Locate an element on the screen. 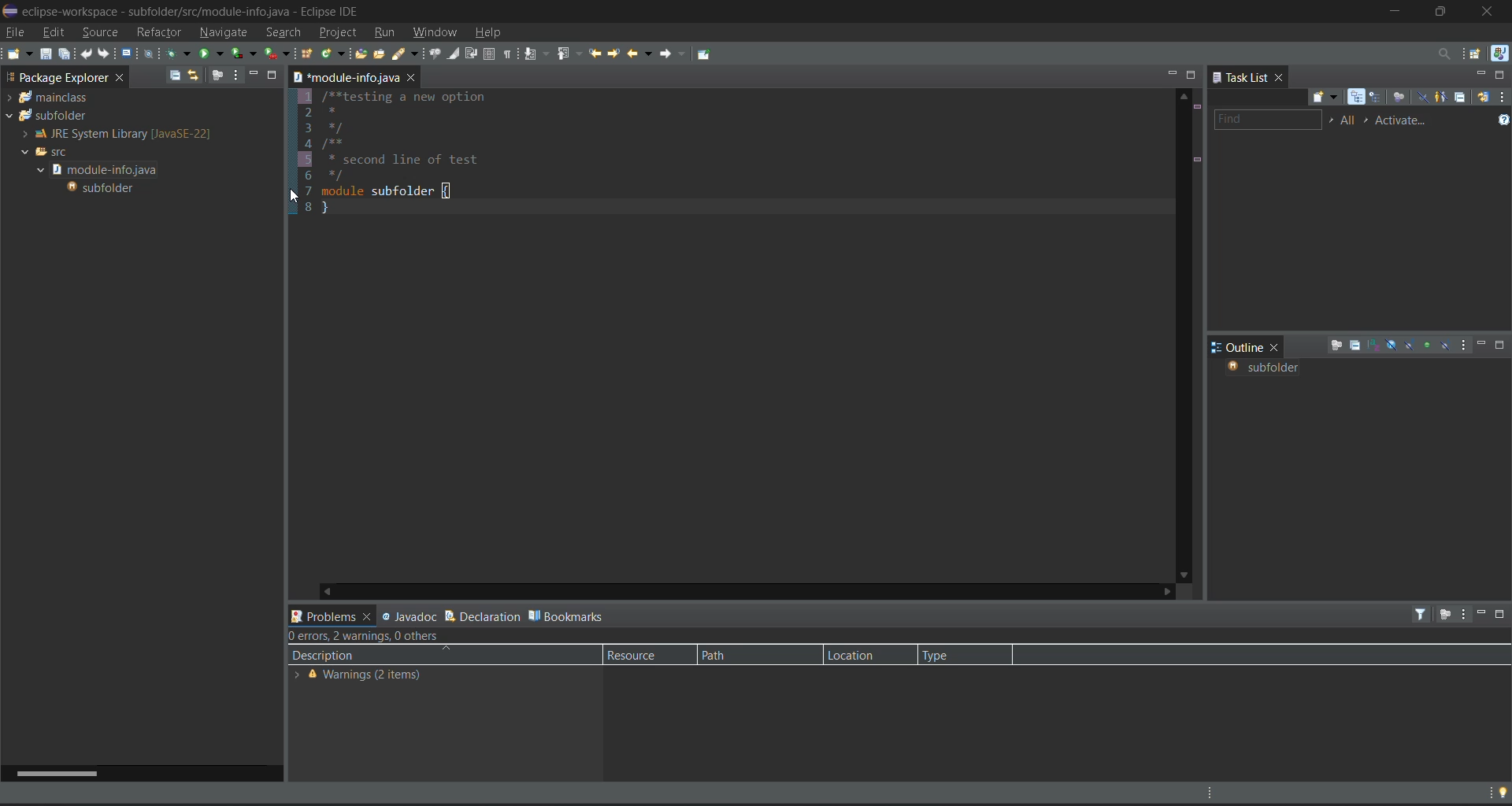 The image size is (1512, 806). view menu is located at coordinates (1463, 615).